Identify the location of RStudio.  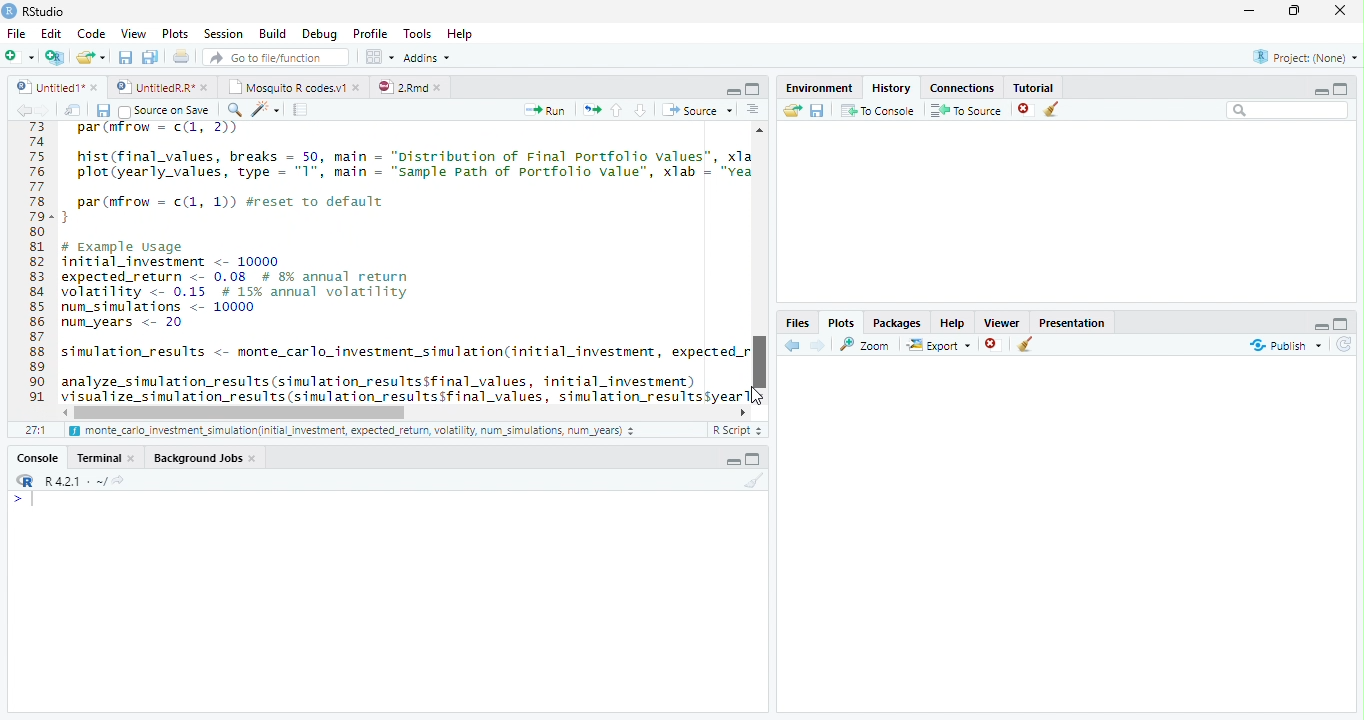
(34, 11).